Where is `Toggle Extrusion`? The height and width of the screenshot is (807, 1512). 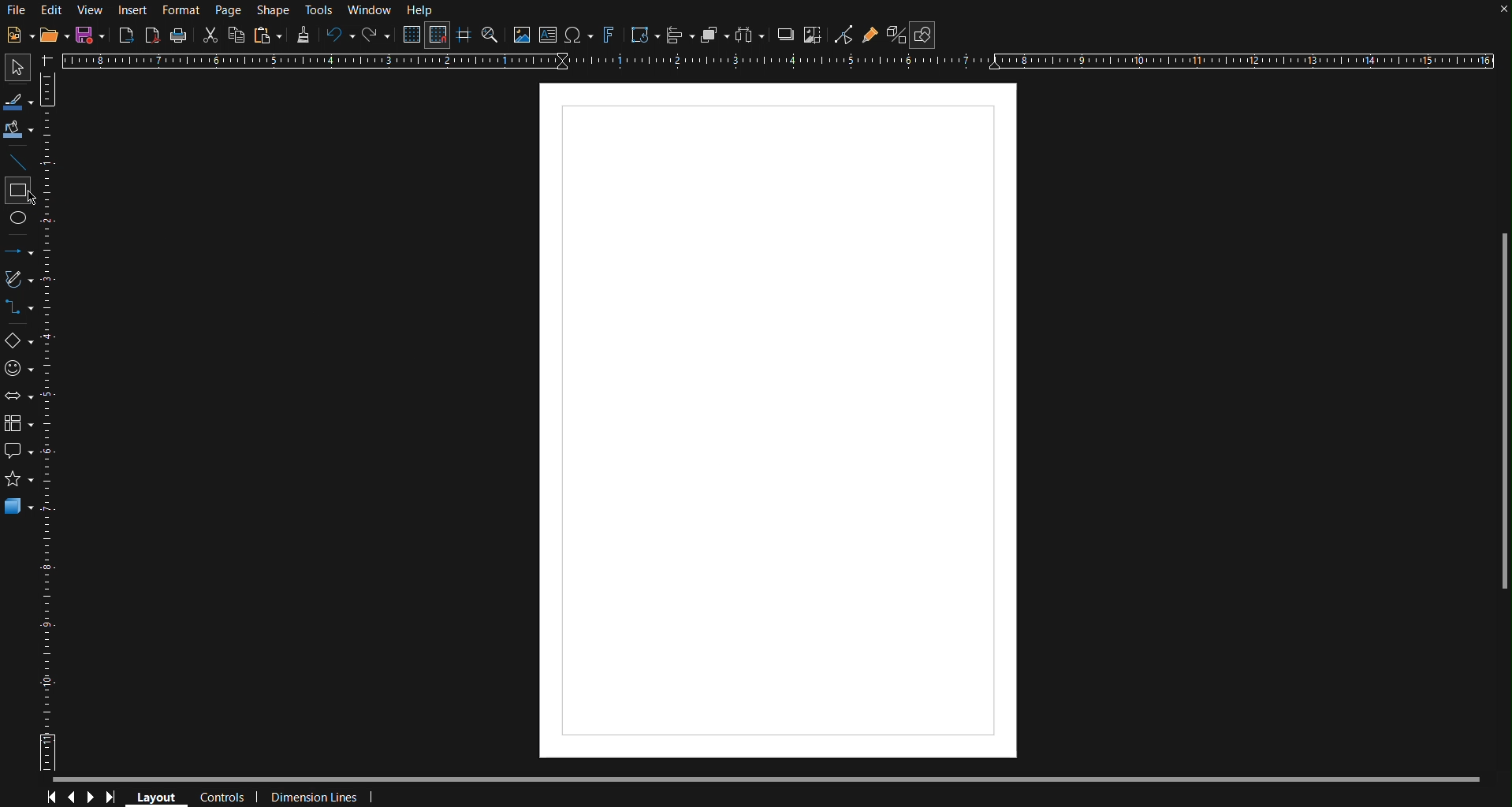
Toggle Extrusion is located at coordinates (897, 34).